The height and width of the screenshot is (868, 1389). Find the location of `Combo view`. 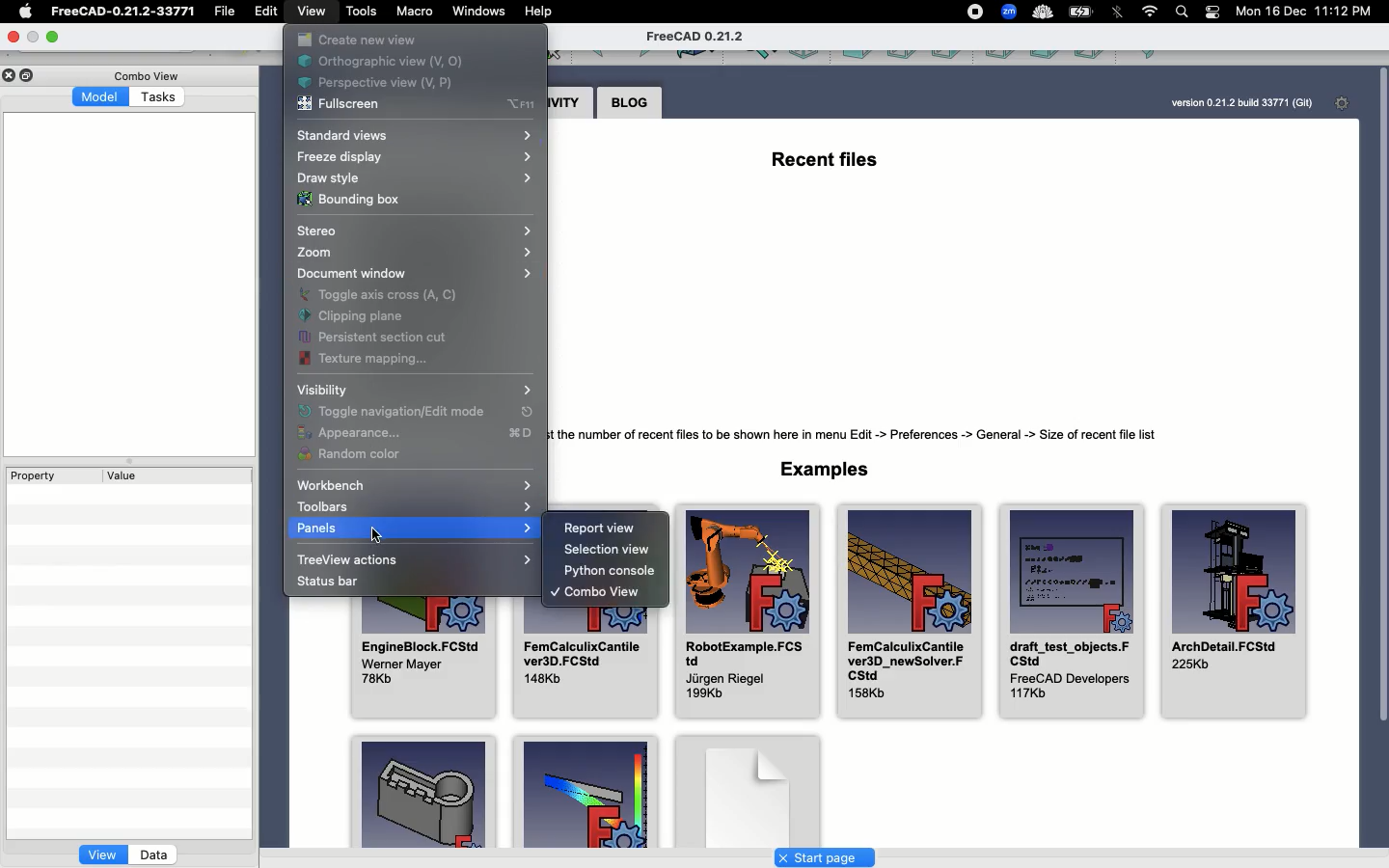

Combo view is located at coordinates (147, 75).